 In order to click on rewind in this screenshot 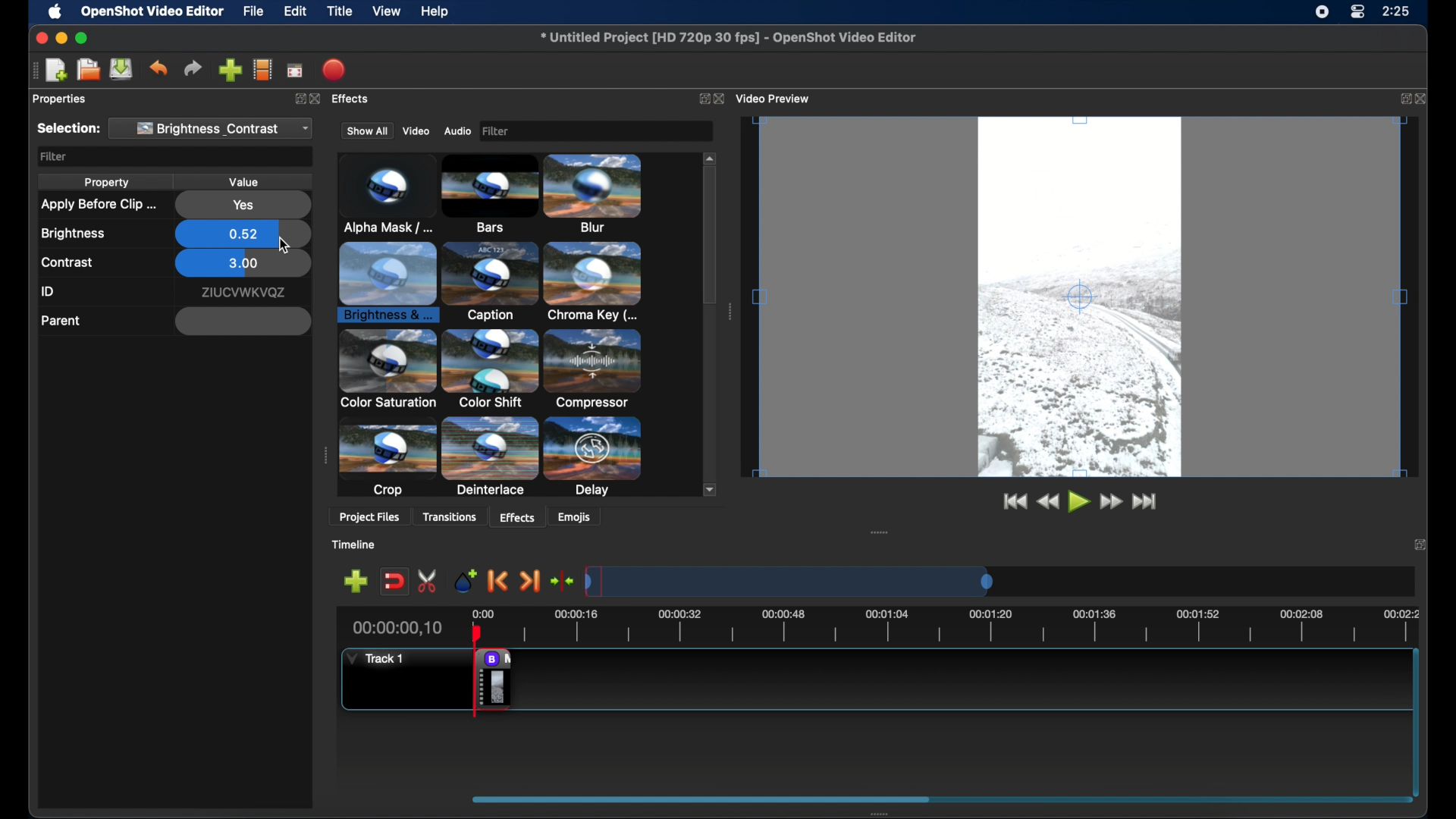, I will do `click(1047, 503)`.